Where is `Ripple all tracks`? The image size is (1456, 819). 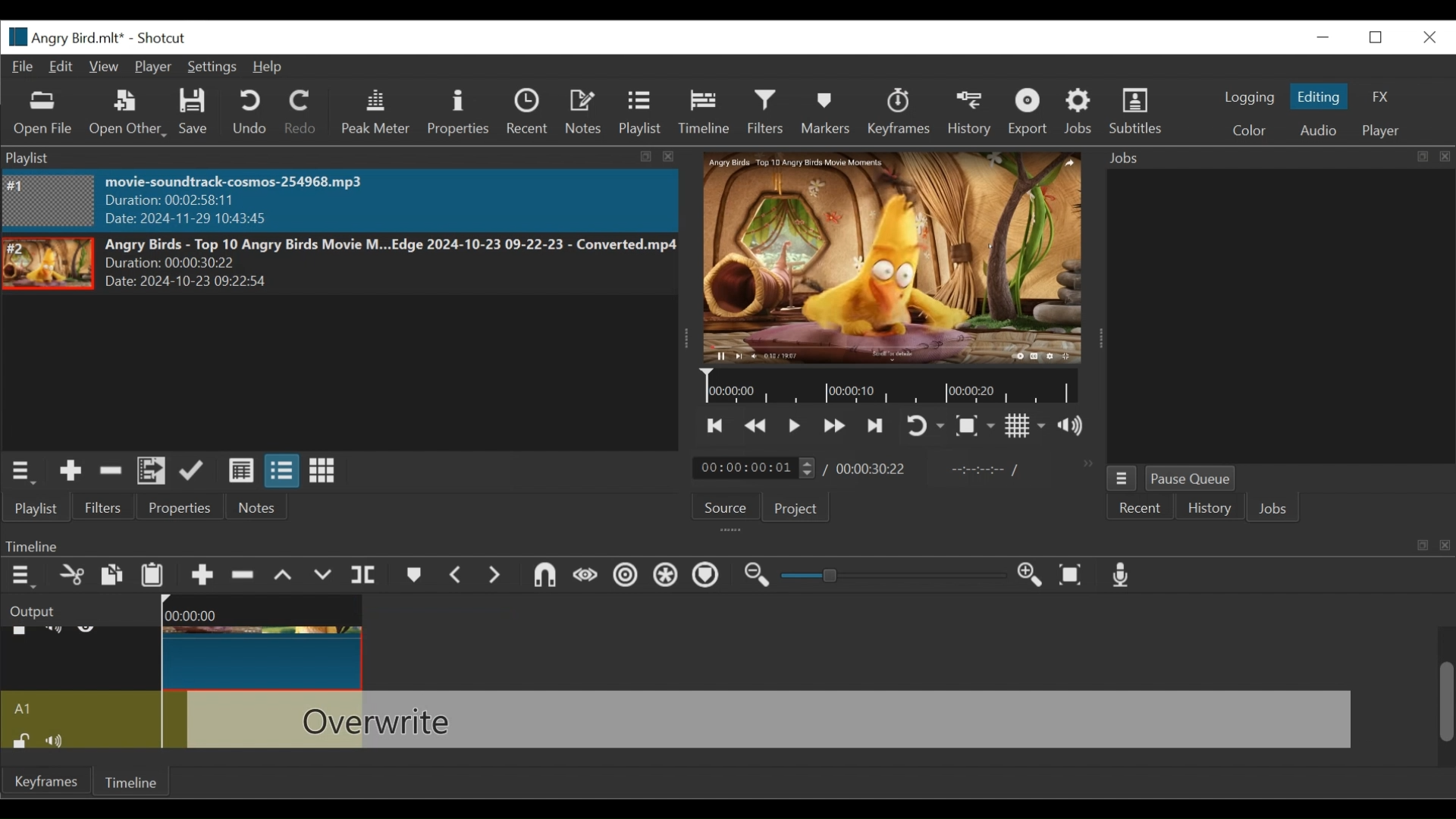 Ripple all tracks is located at coordinates (667, 578).